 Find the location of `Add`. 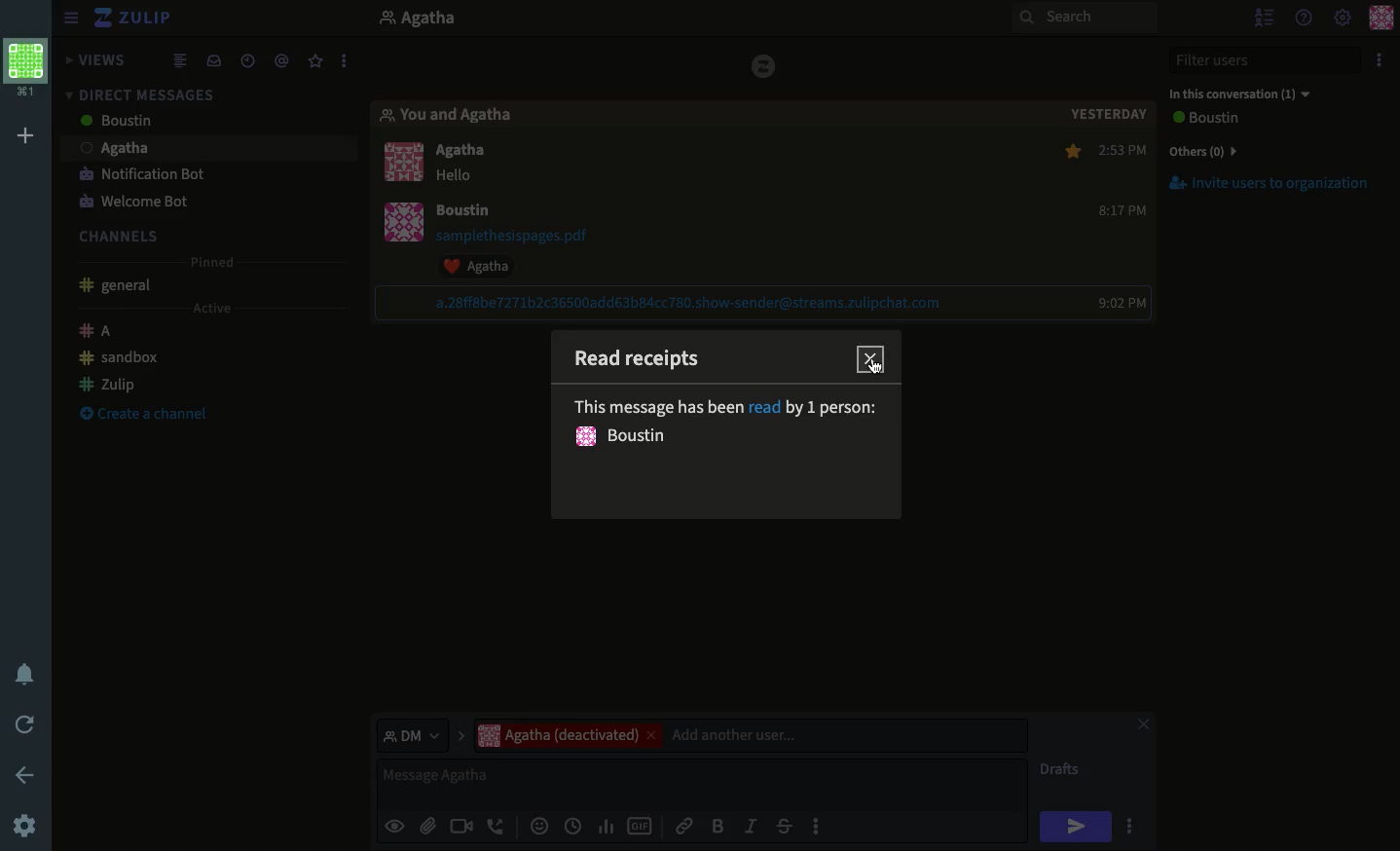

Add is located at coordinates (25, 138).